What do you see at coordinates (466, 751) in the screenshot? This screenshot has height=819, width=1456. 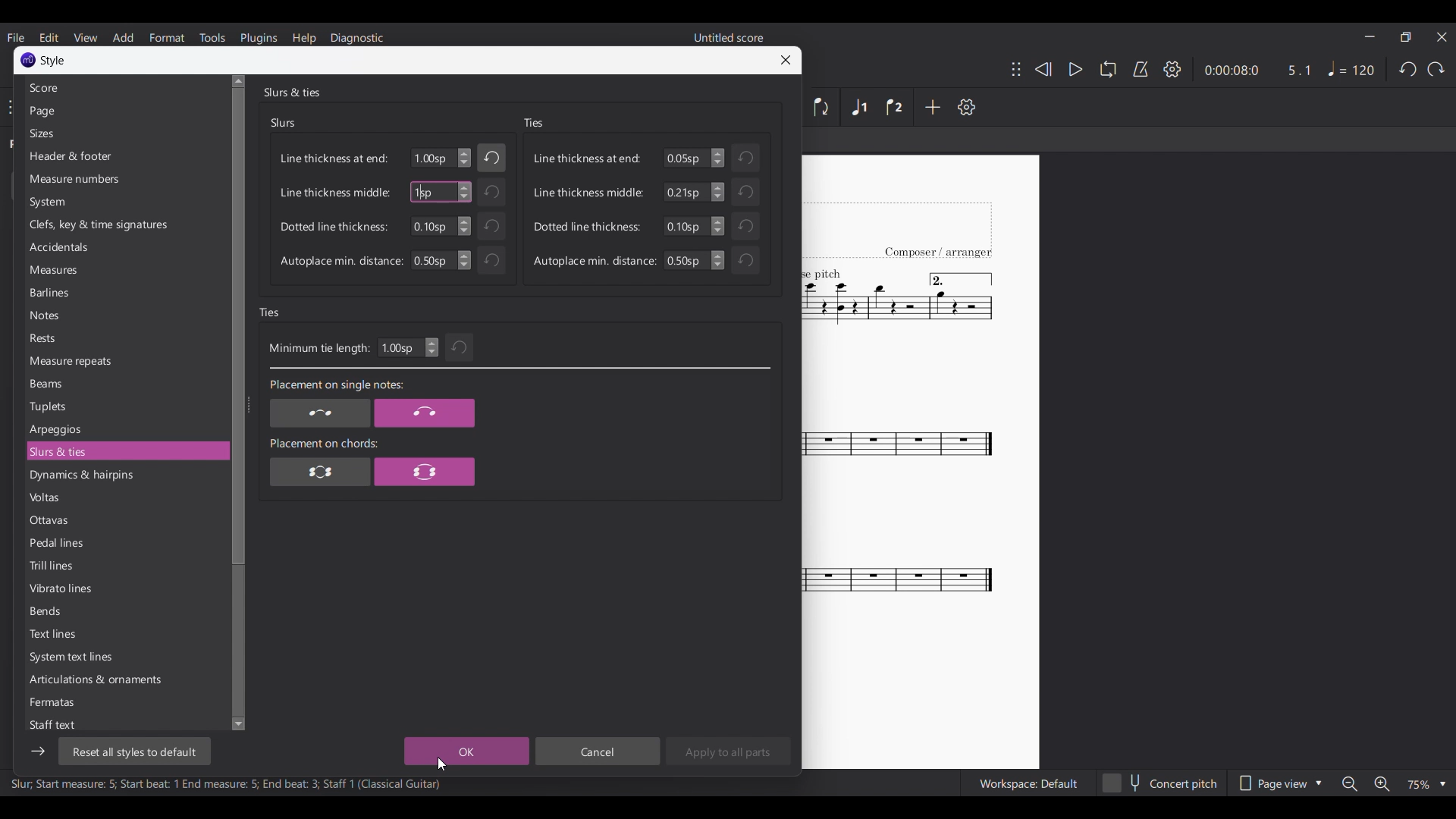 I see `OK` at bounding box center [466, 751].